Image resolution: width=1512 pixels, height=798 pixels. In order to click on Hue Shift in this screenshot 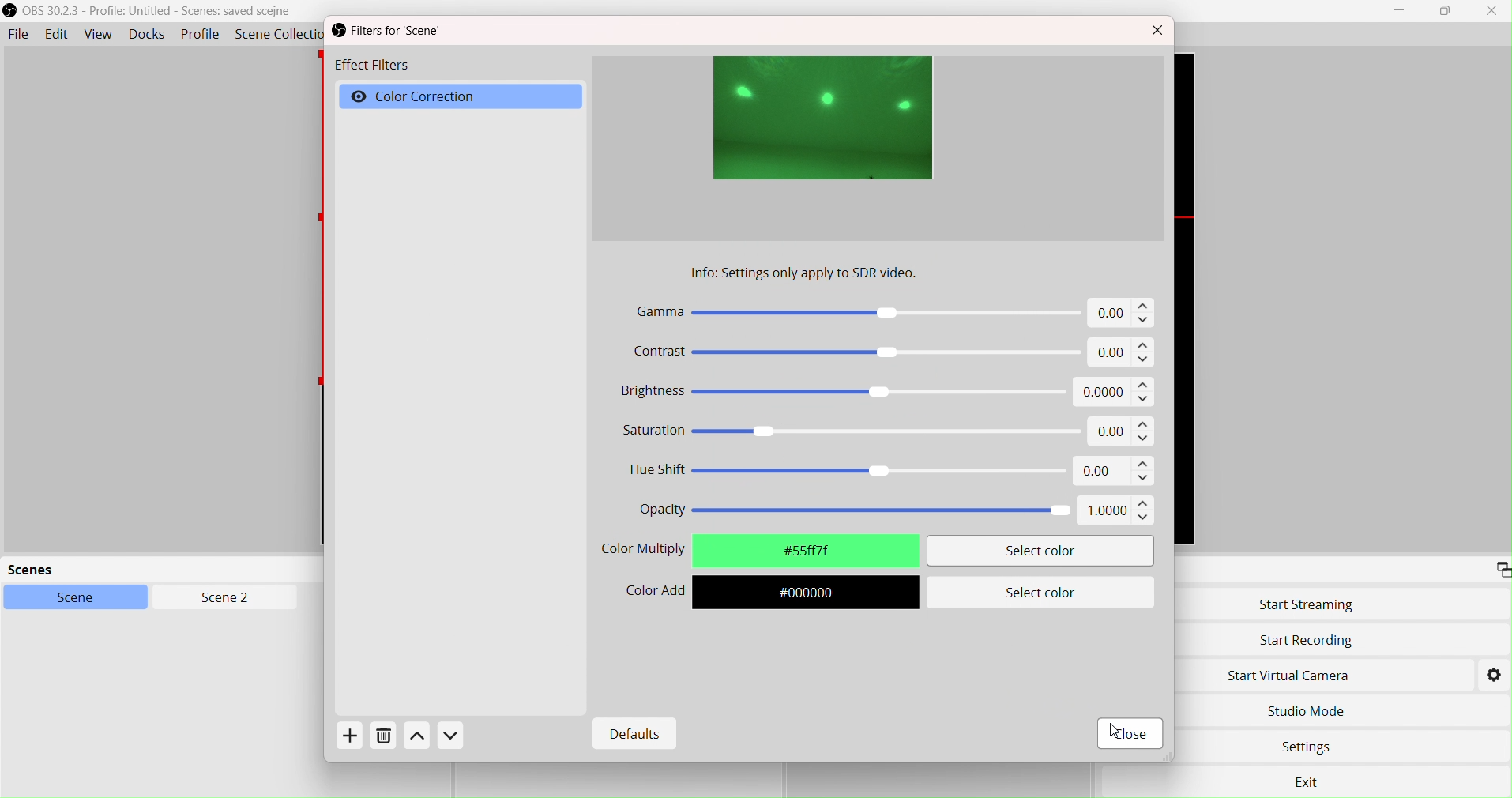, I will do `click(845, 472)`.